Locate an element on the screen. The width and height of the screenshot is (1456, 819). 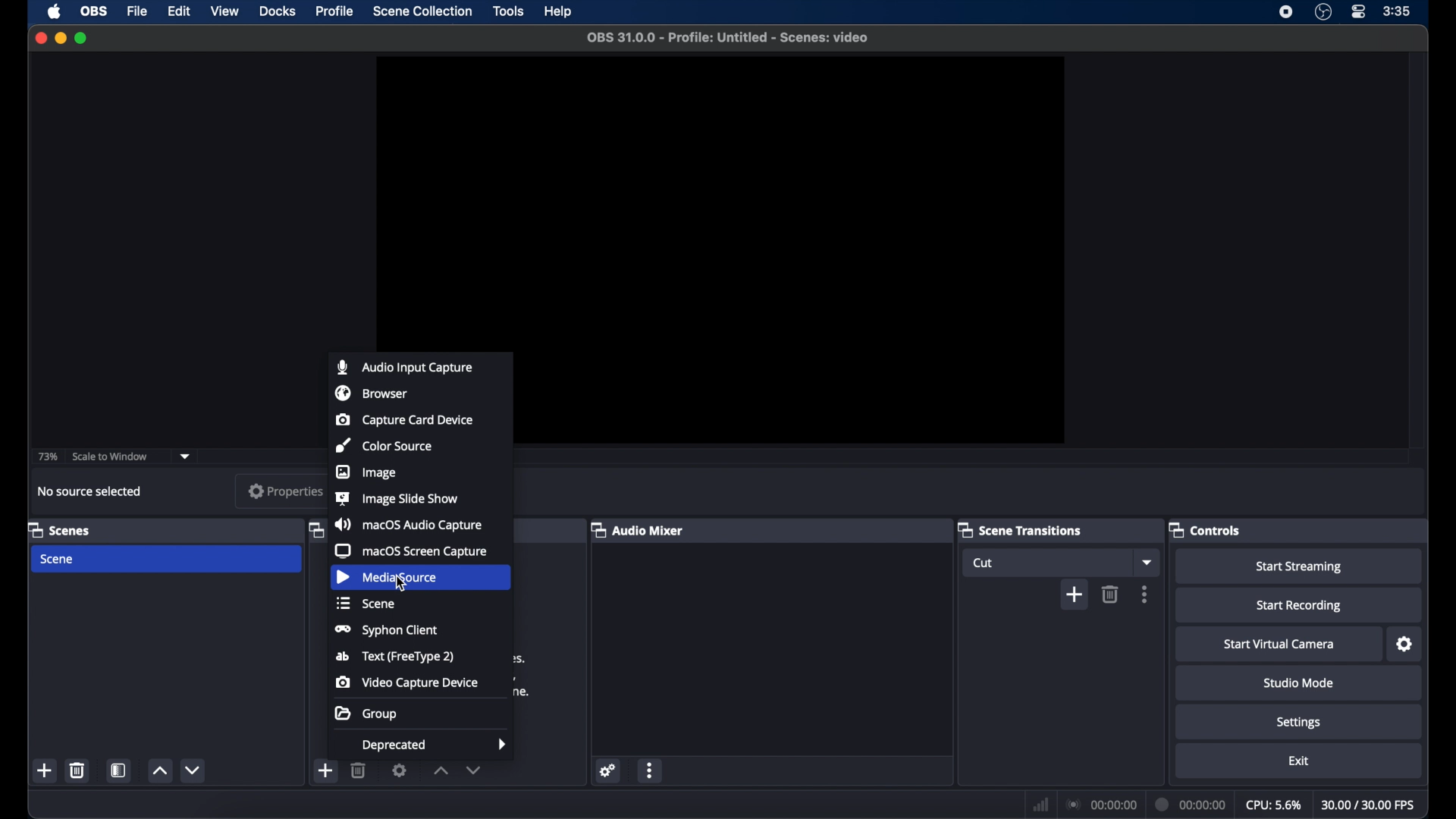
image is located at coordinates (367, 472).